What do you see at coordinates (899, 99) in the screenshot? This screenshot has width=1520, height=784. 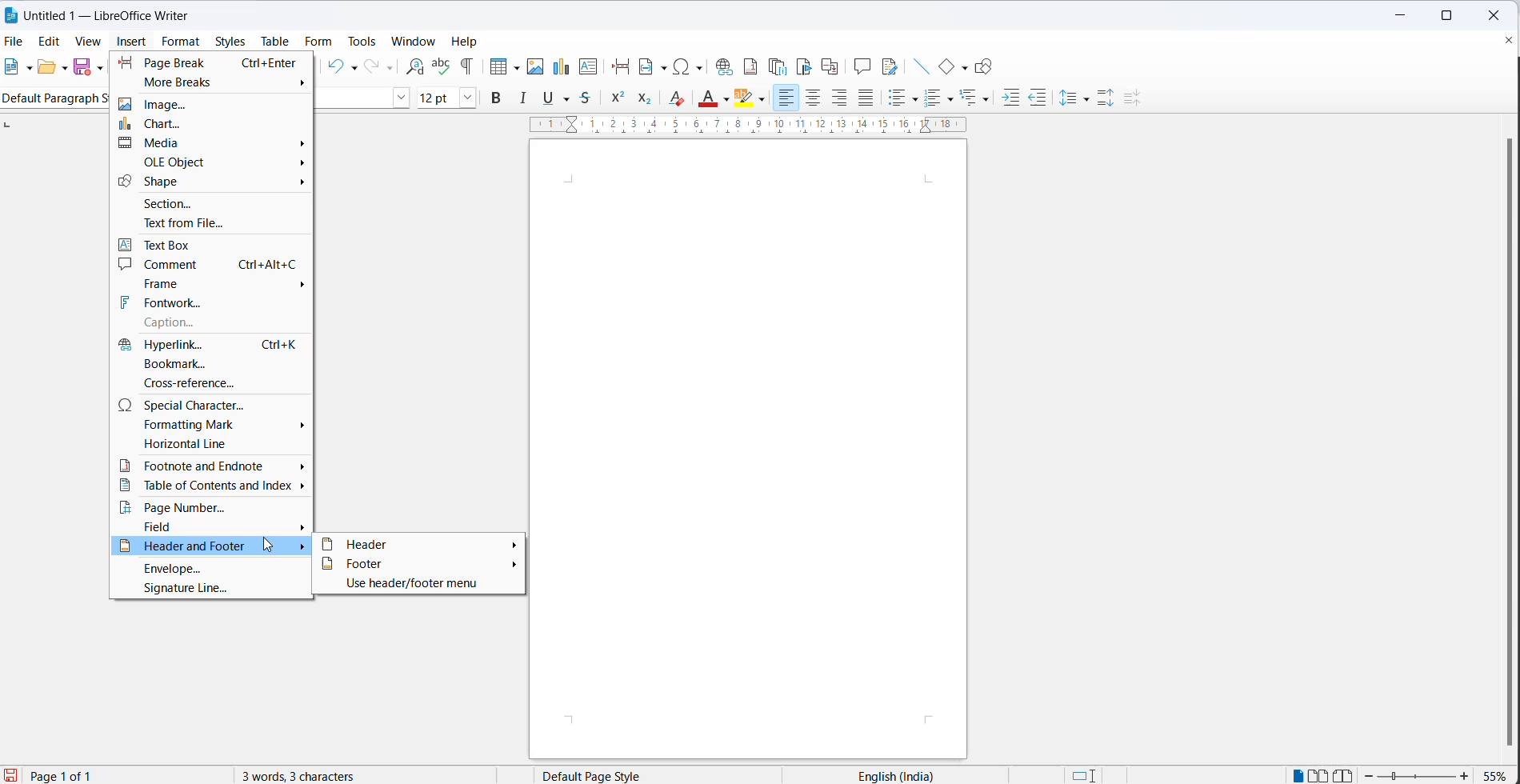 I see `toggle ordered list ` at bounding box center [899, 99].